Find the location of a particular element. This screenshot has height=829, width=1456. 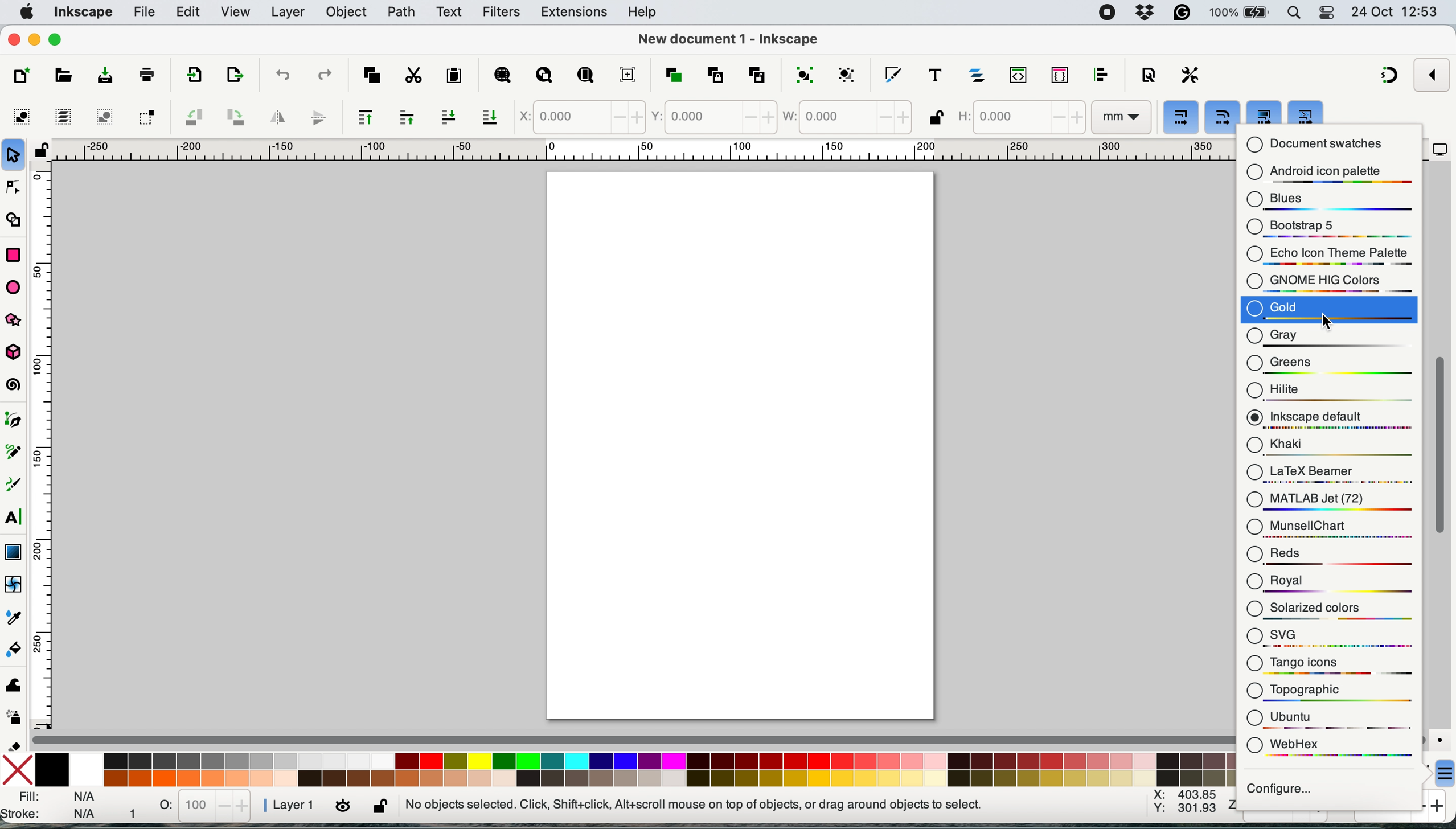

text and font is located at coordinates (935, 73).